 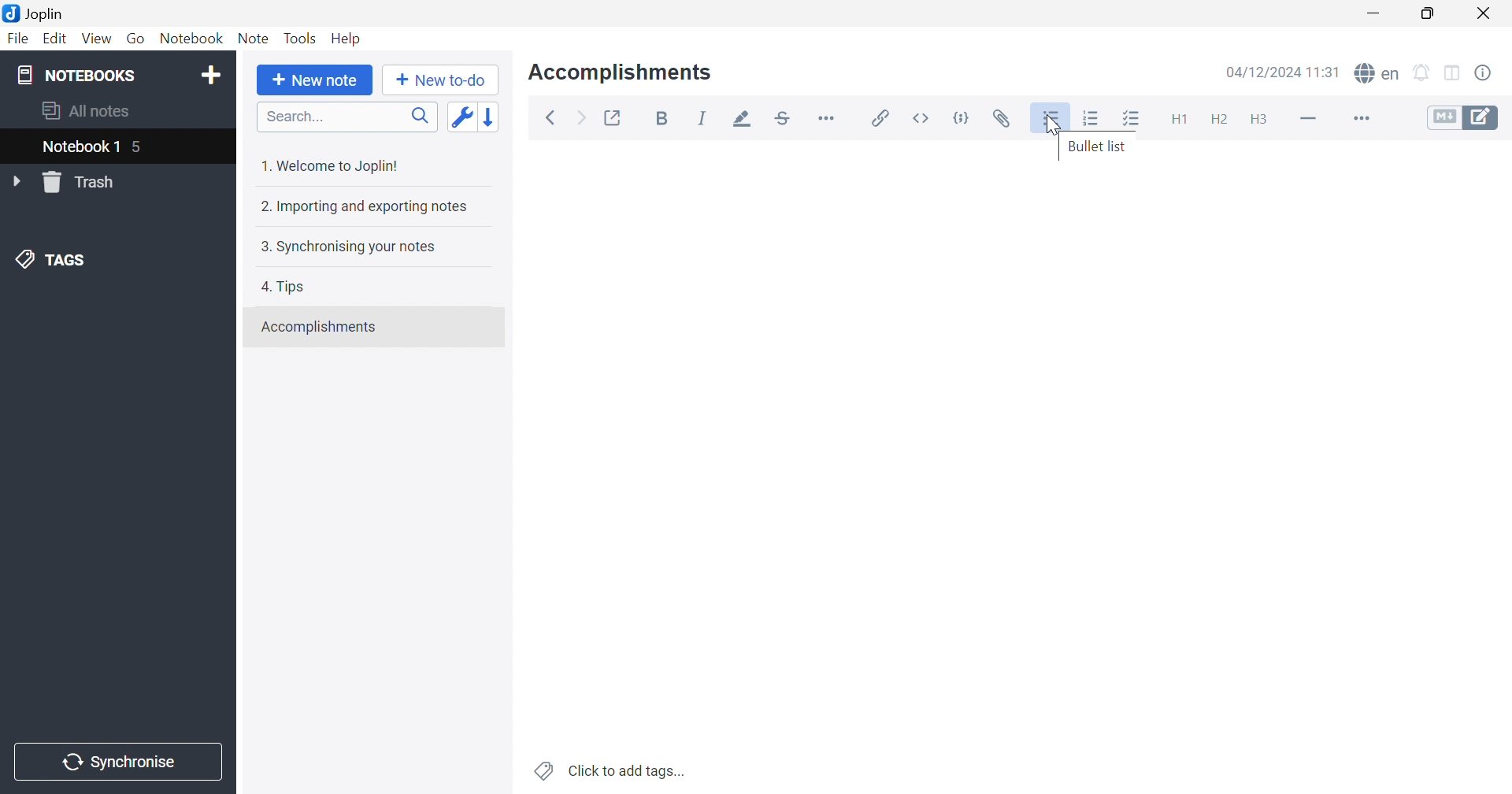 I want to click on TAGS, so click(x=46, y=258).